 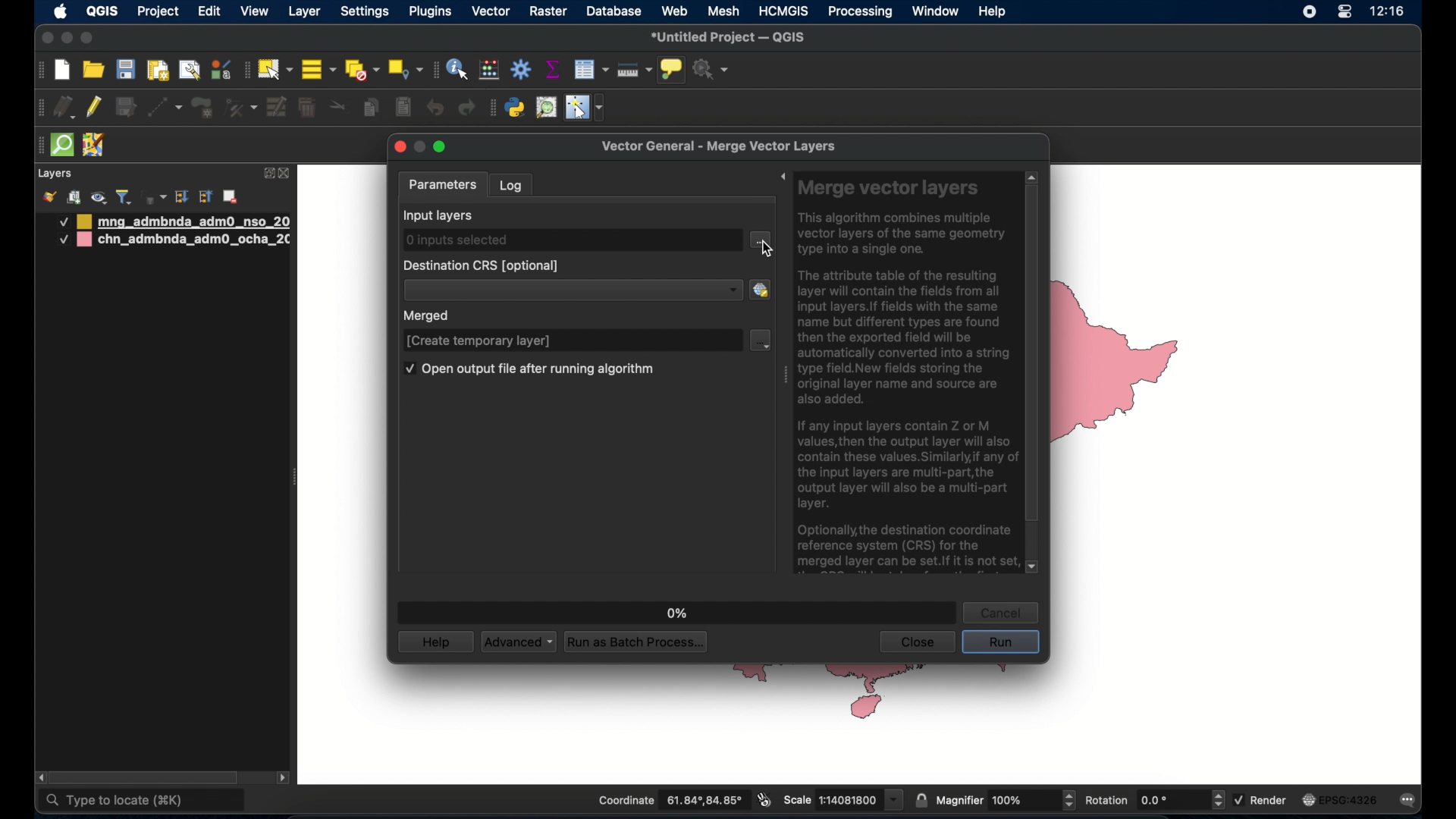 I want to click on run, so click(x=1000, y=643).